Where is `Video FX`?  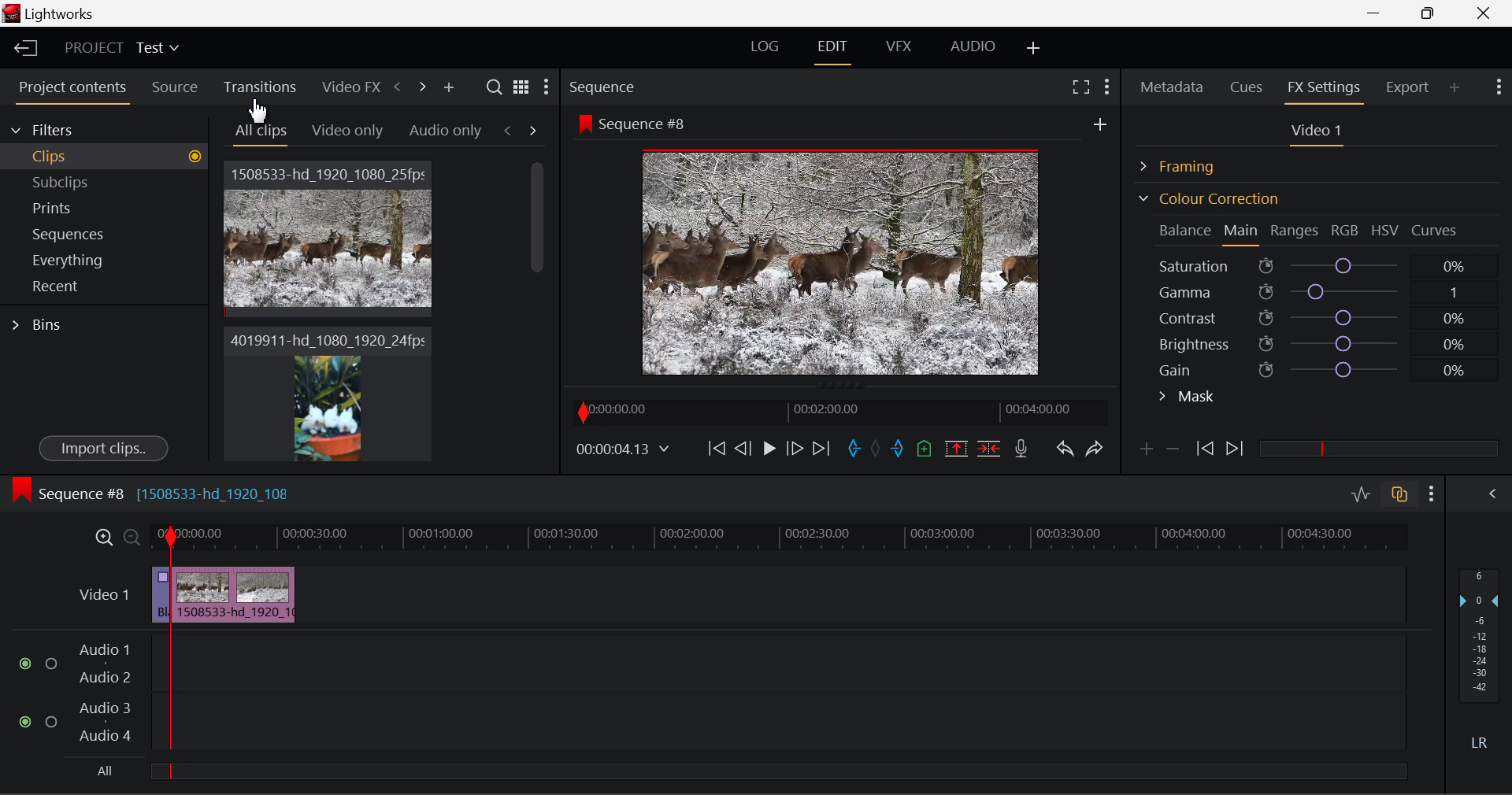
Video FX is located at coordinates (346, 87).